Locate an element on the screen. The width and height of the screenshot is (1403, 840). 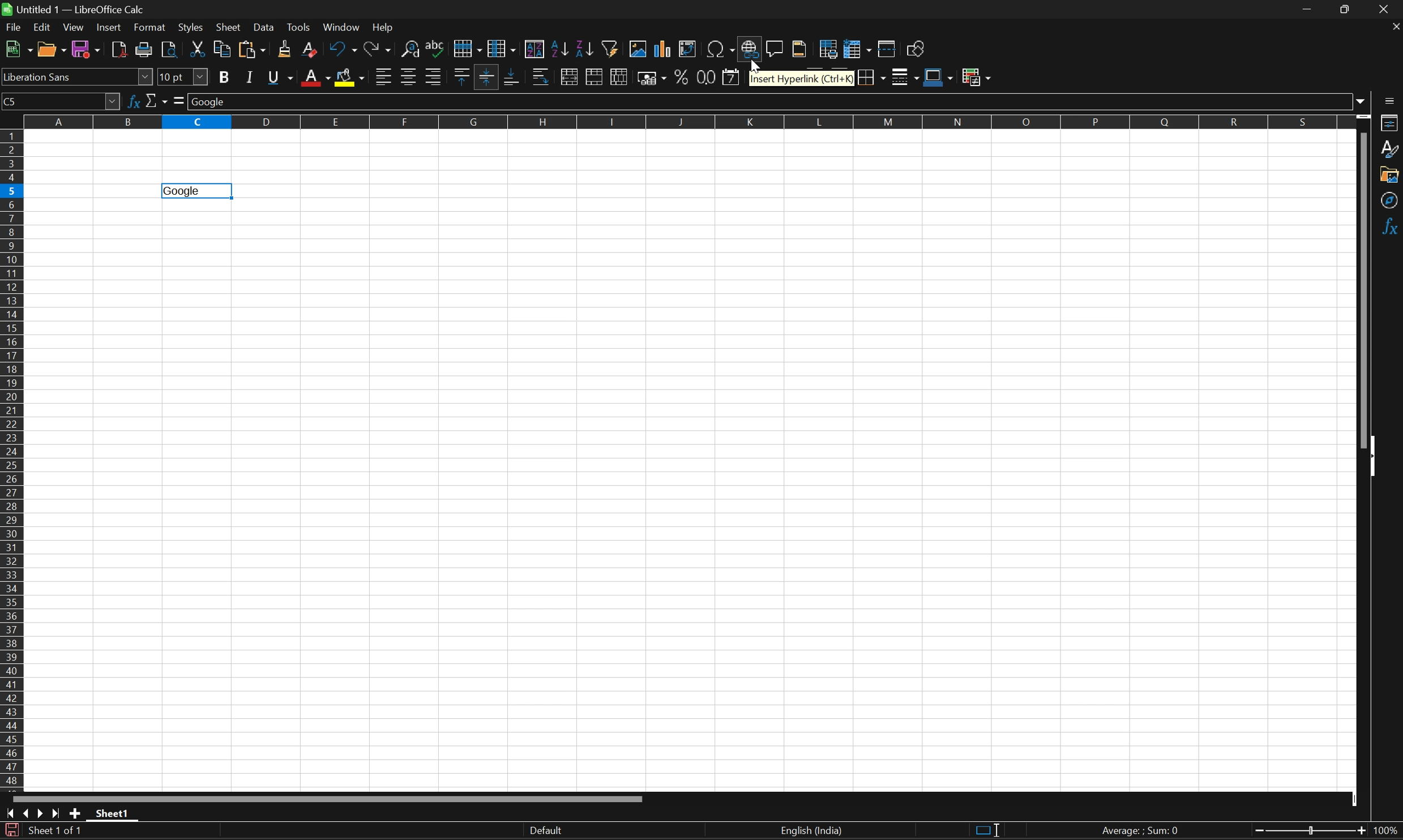
Sheet1 is located at coordinates (113, 813).